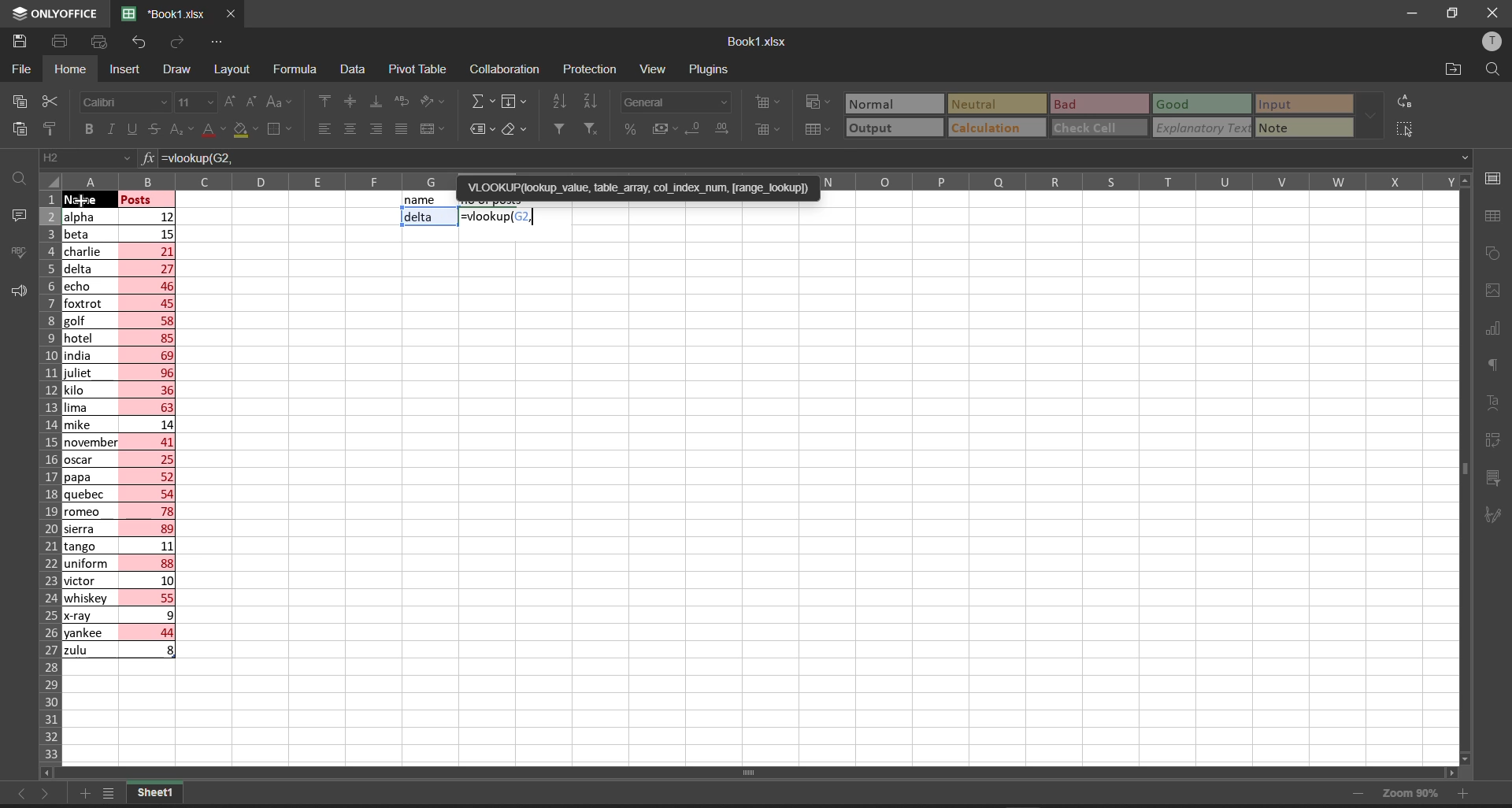 The image size is (1512, 808). Describe the element at coordinates (724, 131) in the screenshot. I see `increase decimal` at that location.